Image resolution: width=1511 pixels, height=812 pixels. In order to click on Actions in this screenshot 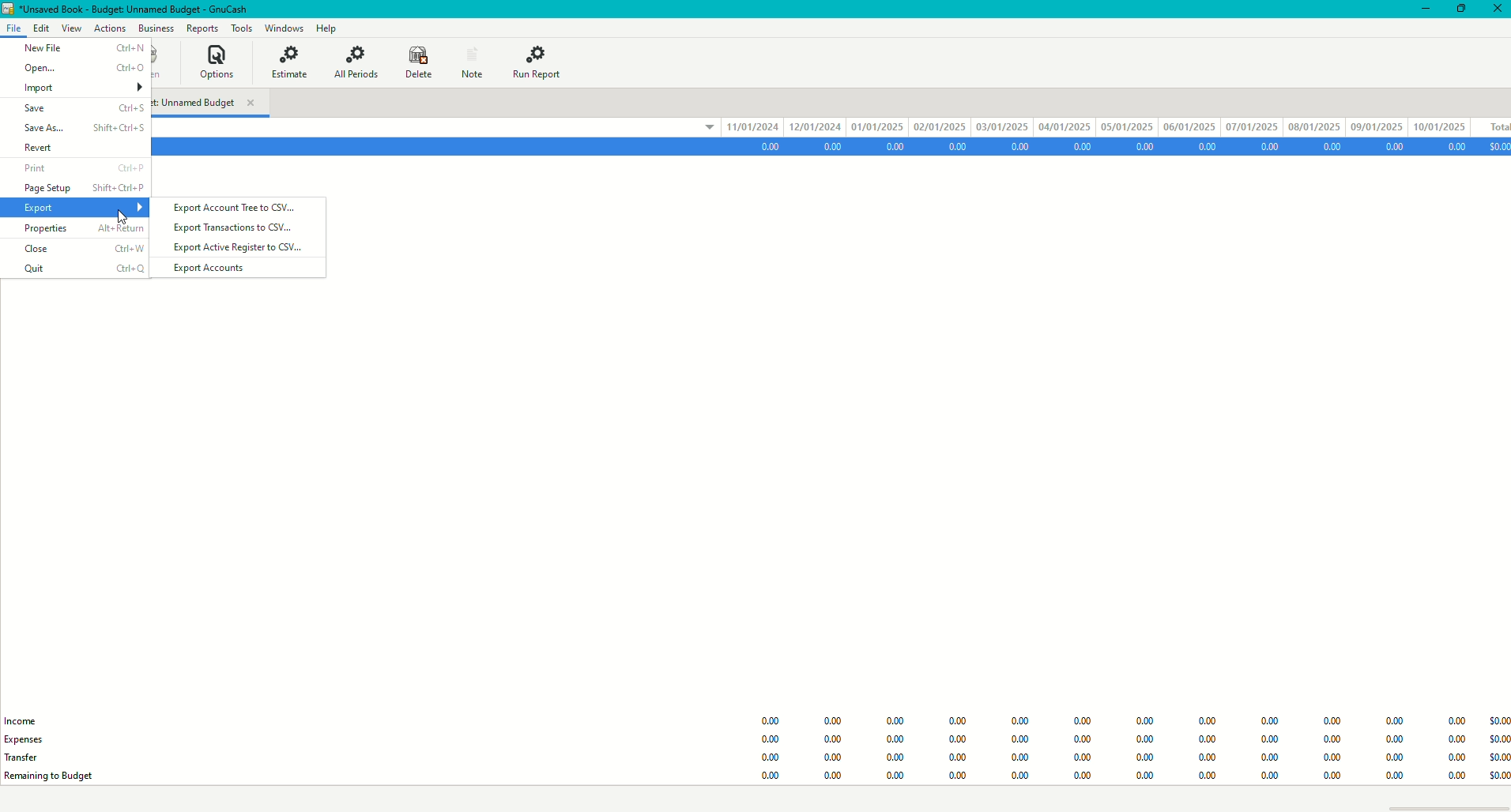, I will do `click(110, 26)`.